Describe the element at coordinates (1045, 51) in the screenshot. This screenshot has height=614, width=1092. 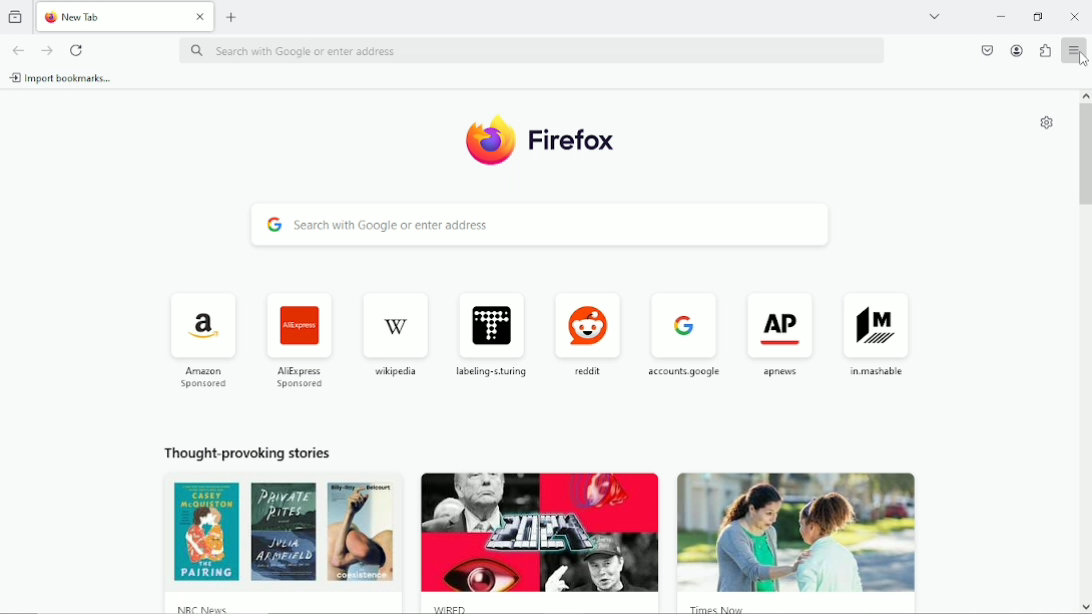
I see `extensions` at that location.